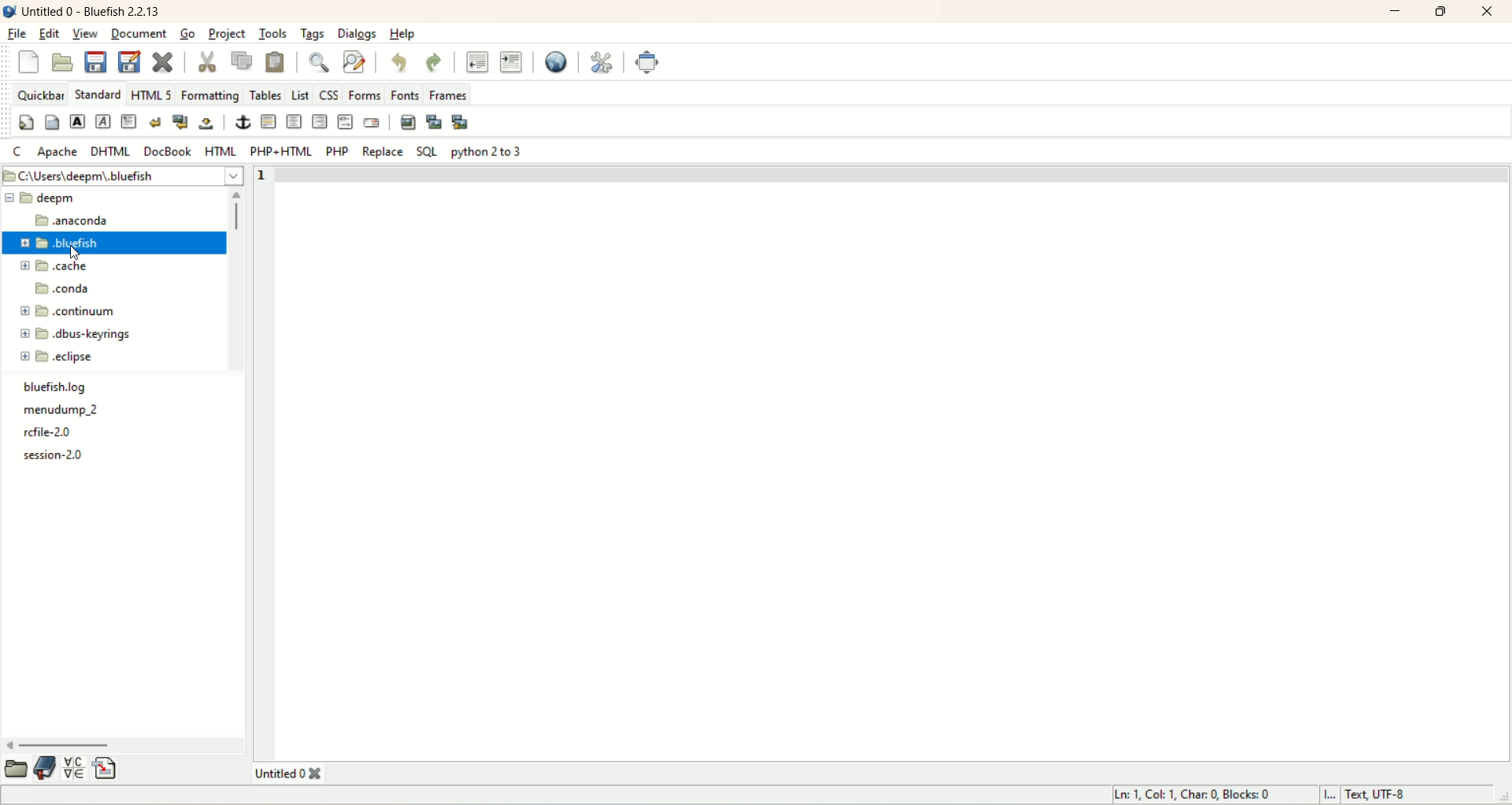  I want to click on fonts, so click(404, 95).